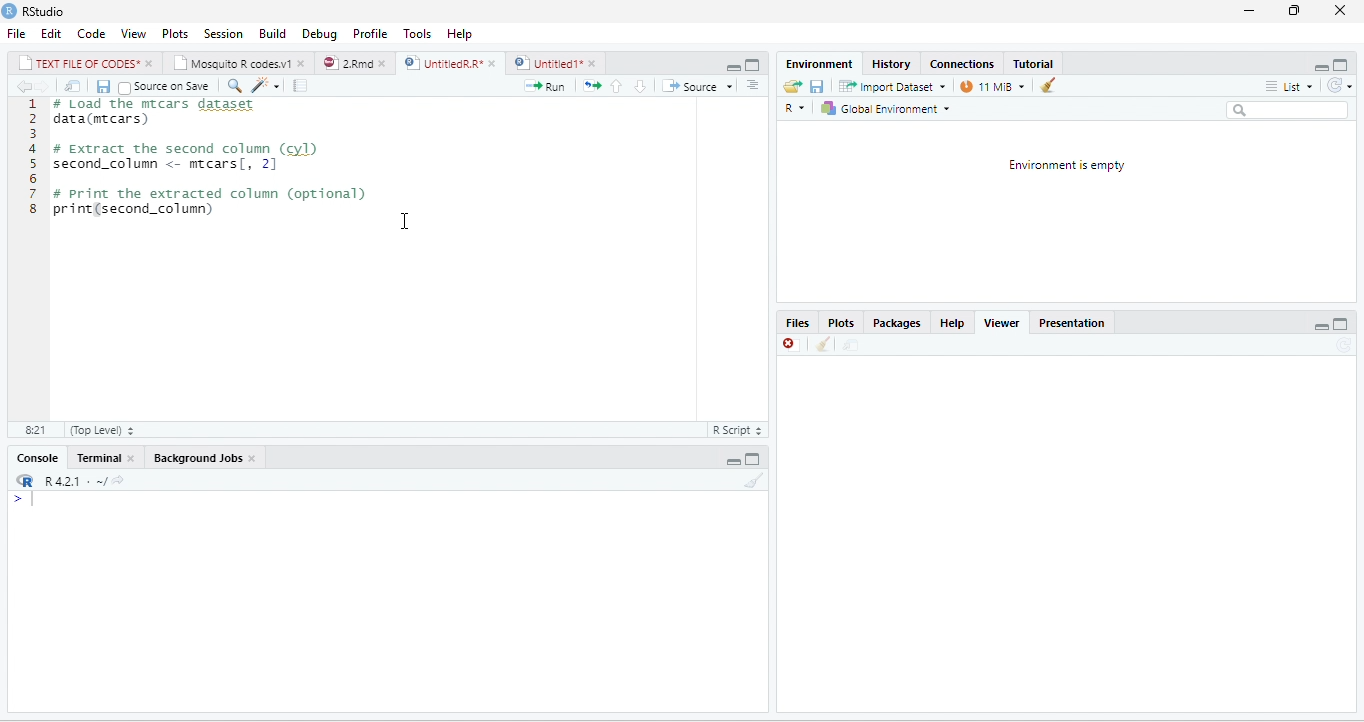  Describe the element at coordinates (1070, 210) in the screenshot. I see `environment is empty` at that location.